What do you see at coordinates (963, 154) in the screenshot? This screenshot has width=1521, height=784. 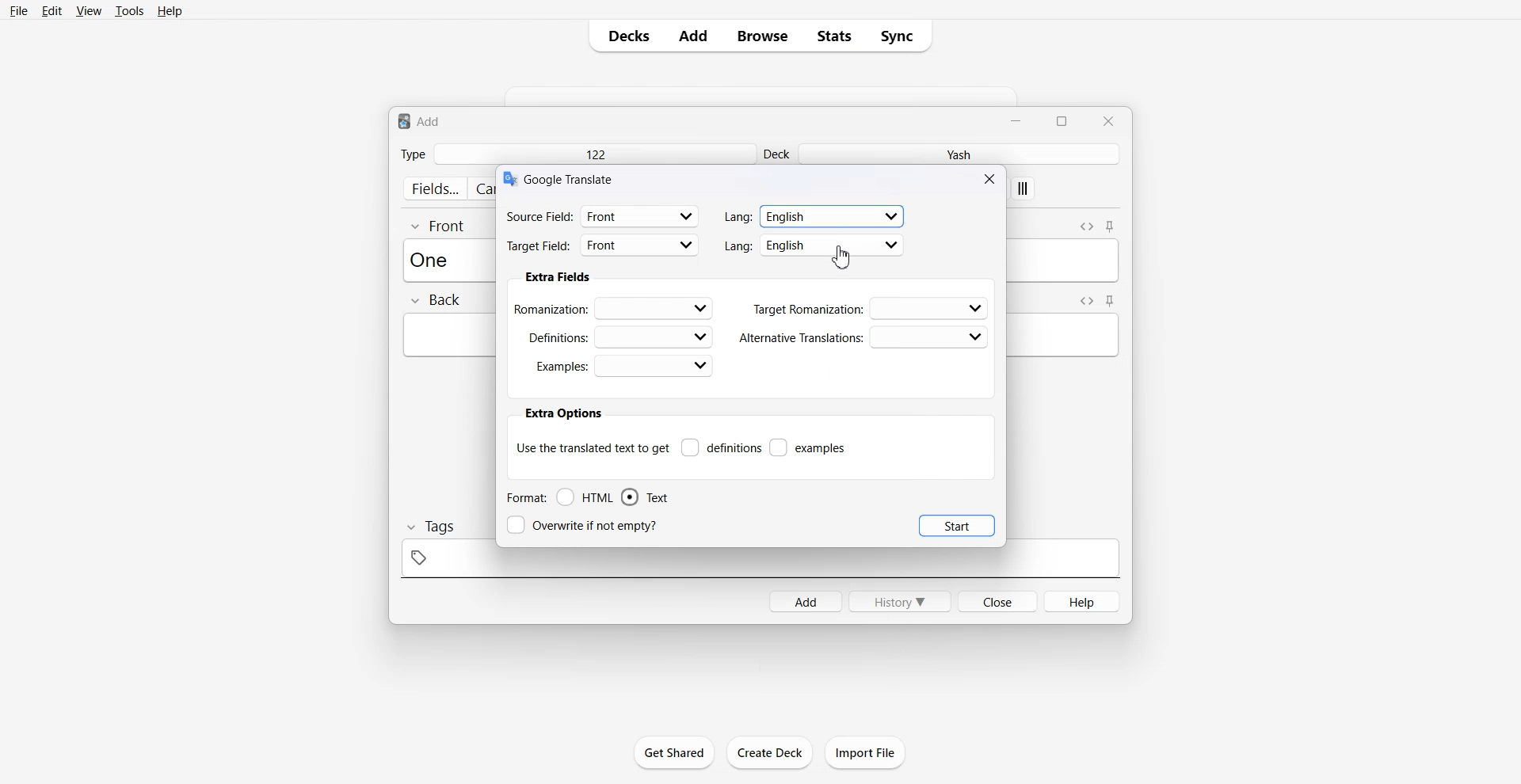 I see `Yash` at bounding box center [963, 154].